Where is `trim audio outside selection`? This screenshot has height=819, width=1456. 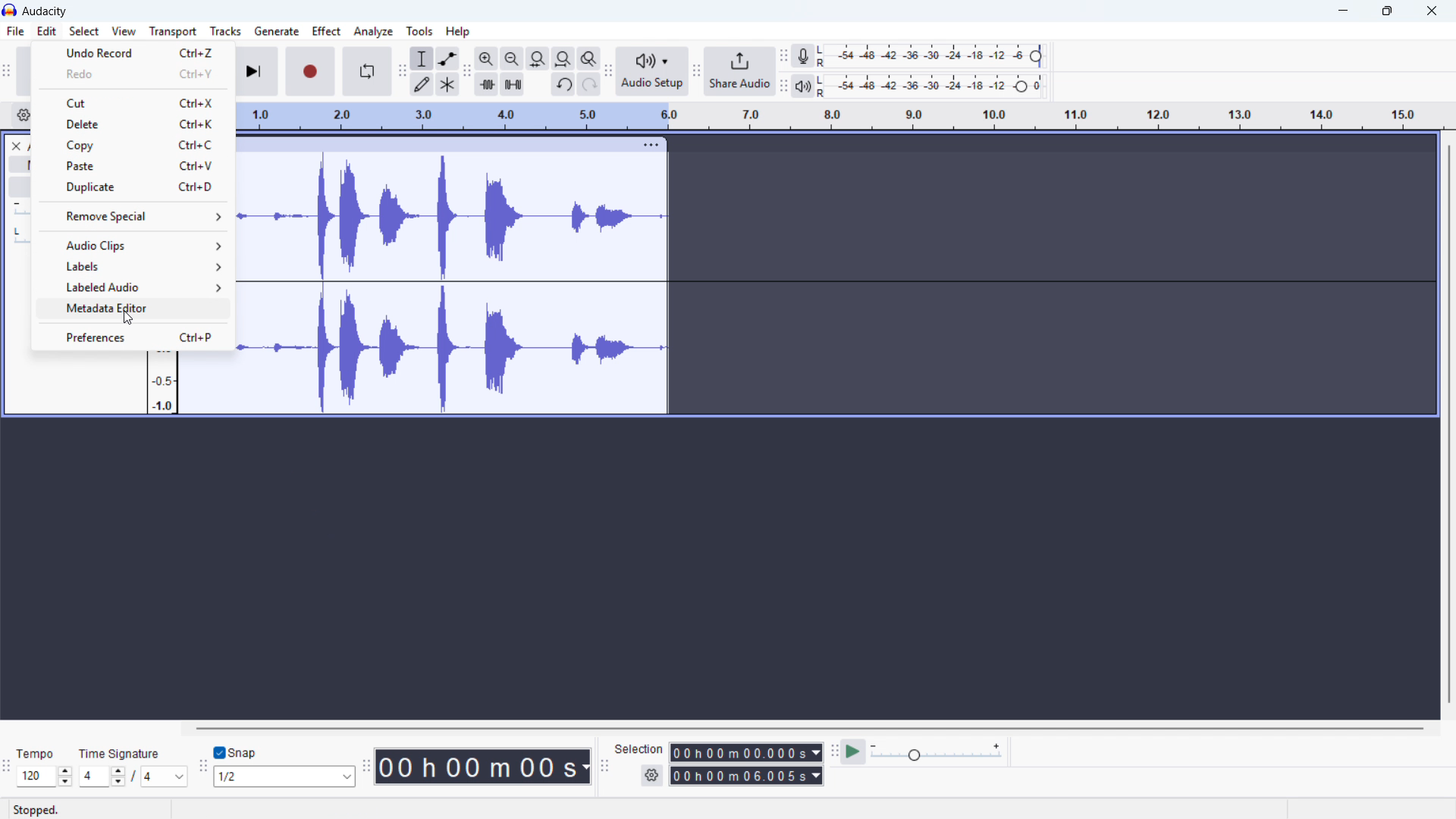 trim audio outside selection is located at coordinates (488, 85).